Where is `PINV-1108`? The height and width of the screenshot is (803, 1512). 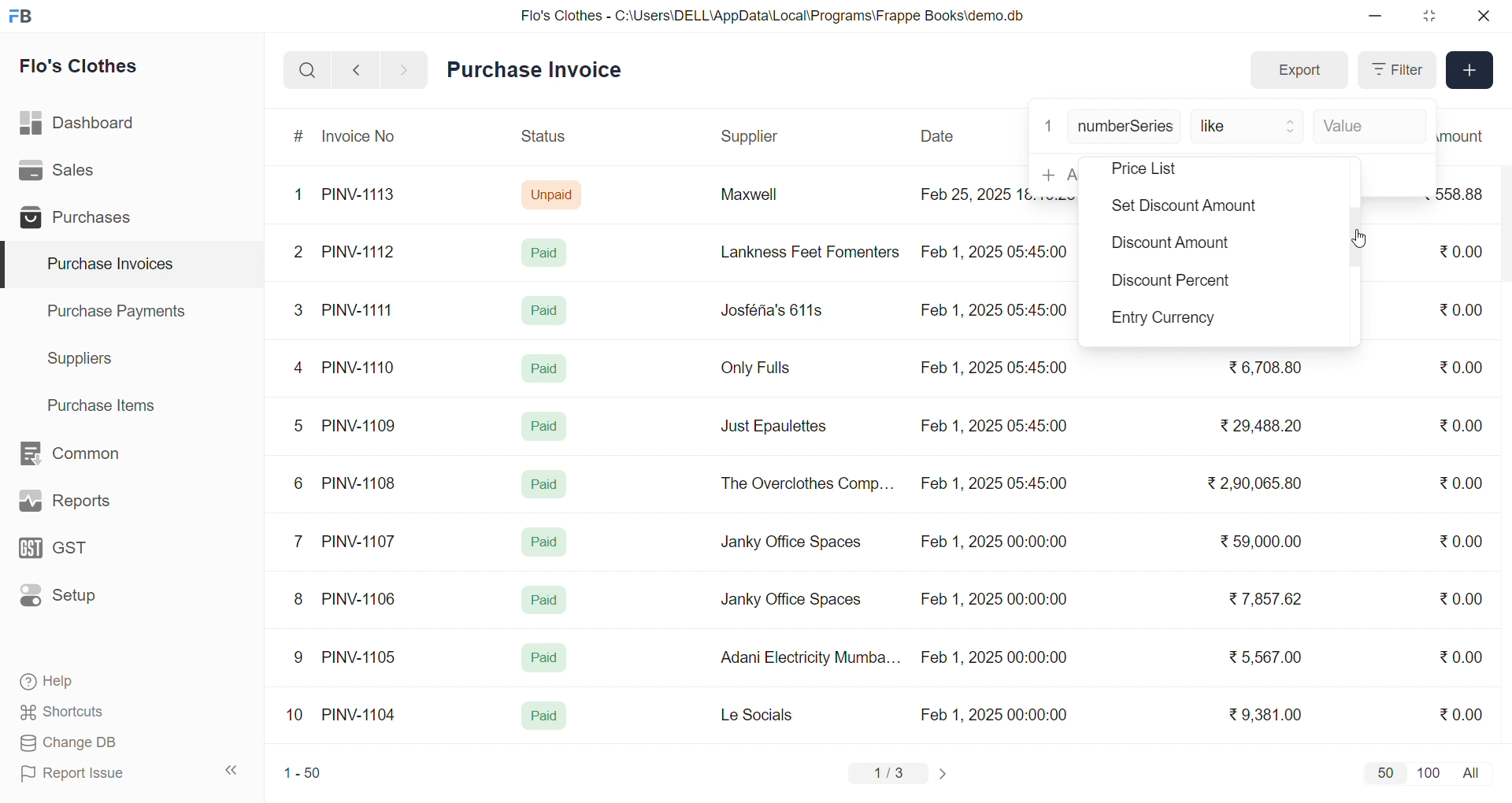
PINV-1108 is located at coordinates (360, 483).